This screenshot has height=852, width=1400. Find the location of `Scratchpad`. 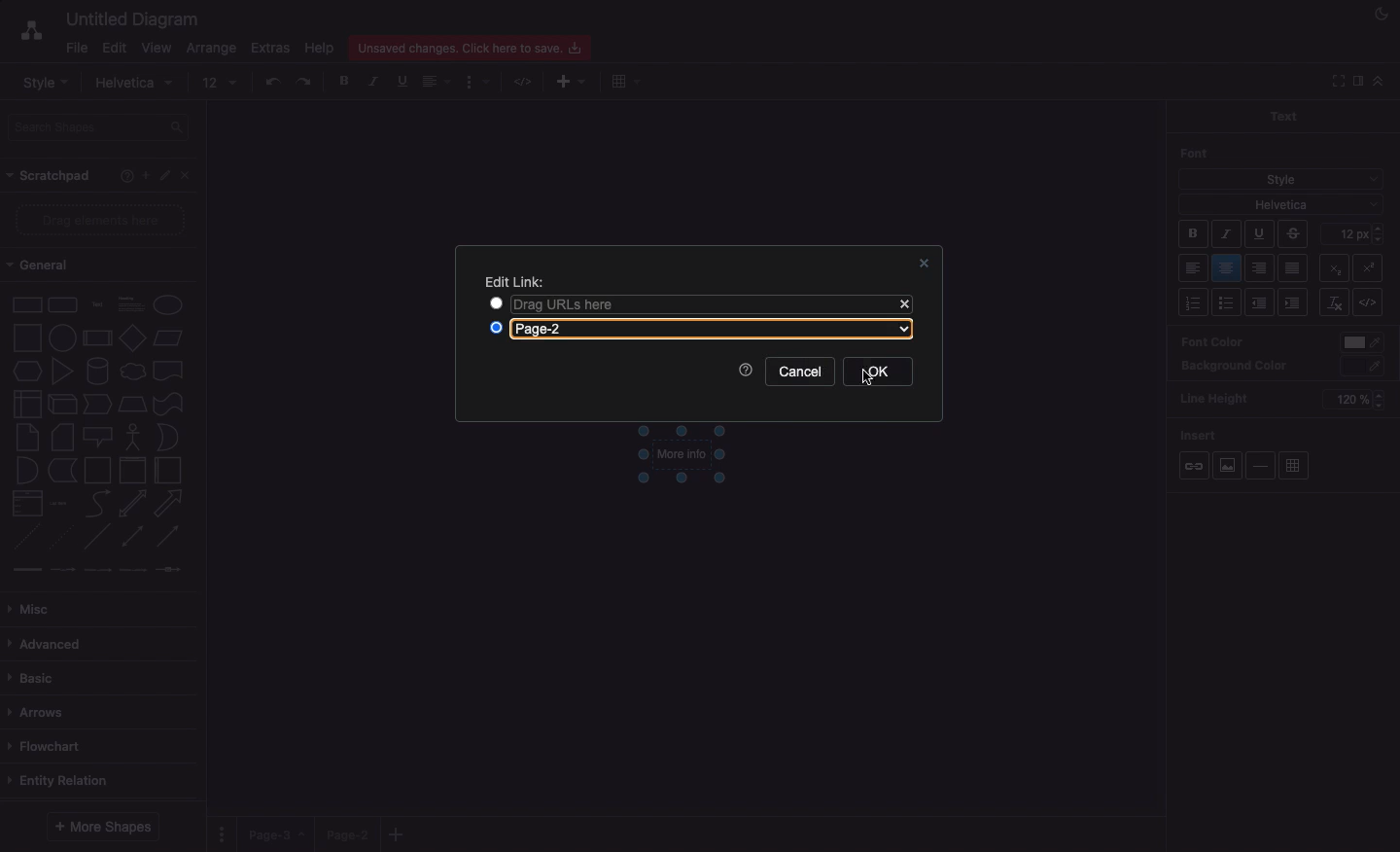

Scratchpad is located at coordinates (52, 177).